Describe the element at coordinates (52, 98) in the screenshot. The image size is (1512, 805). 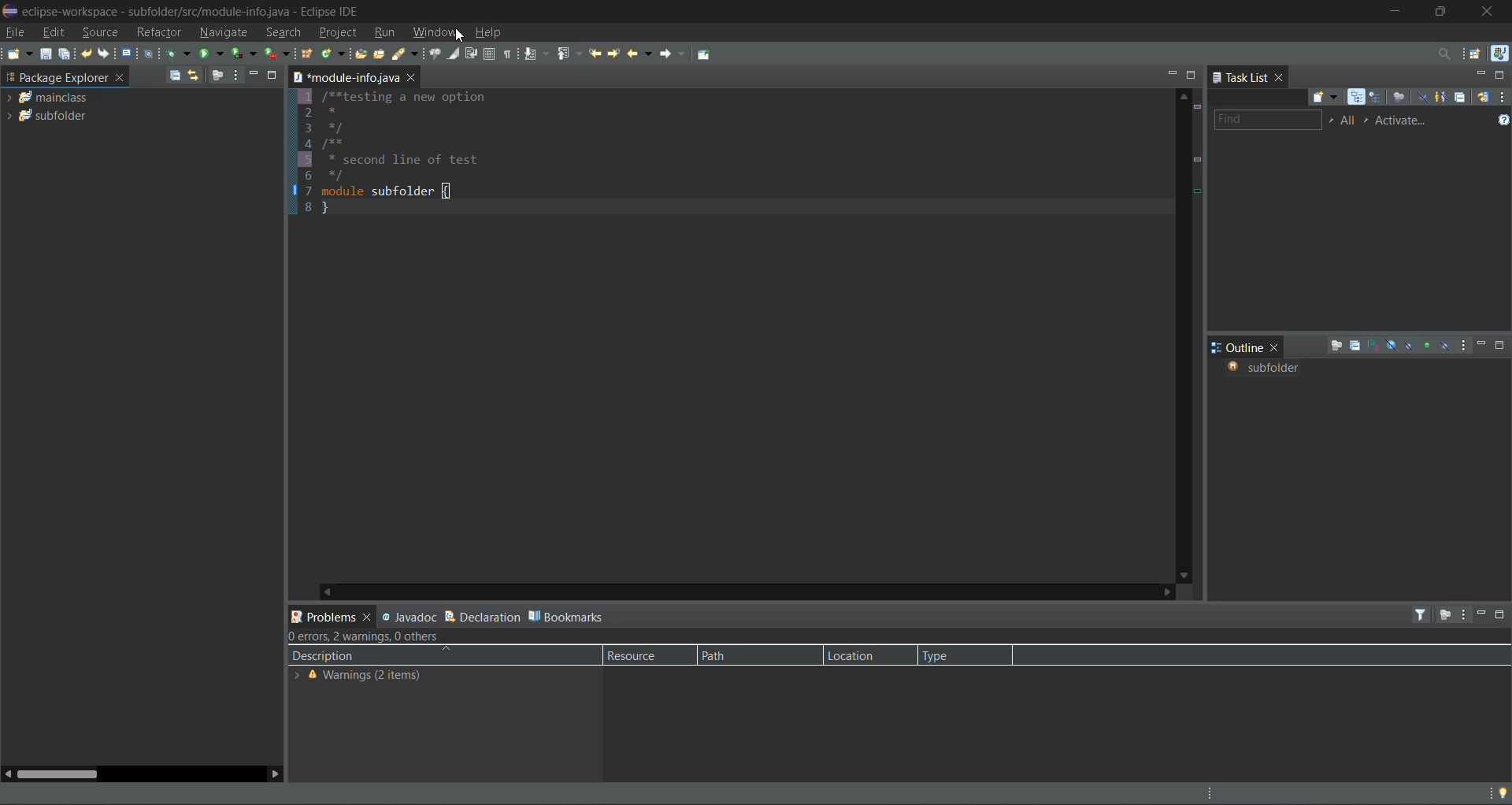
I see `module 1` at that location.